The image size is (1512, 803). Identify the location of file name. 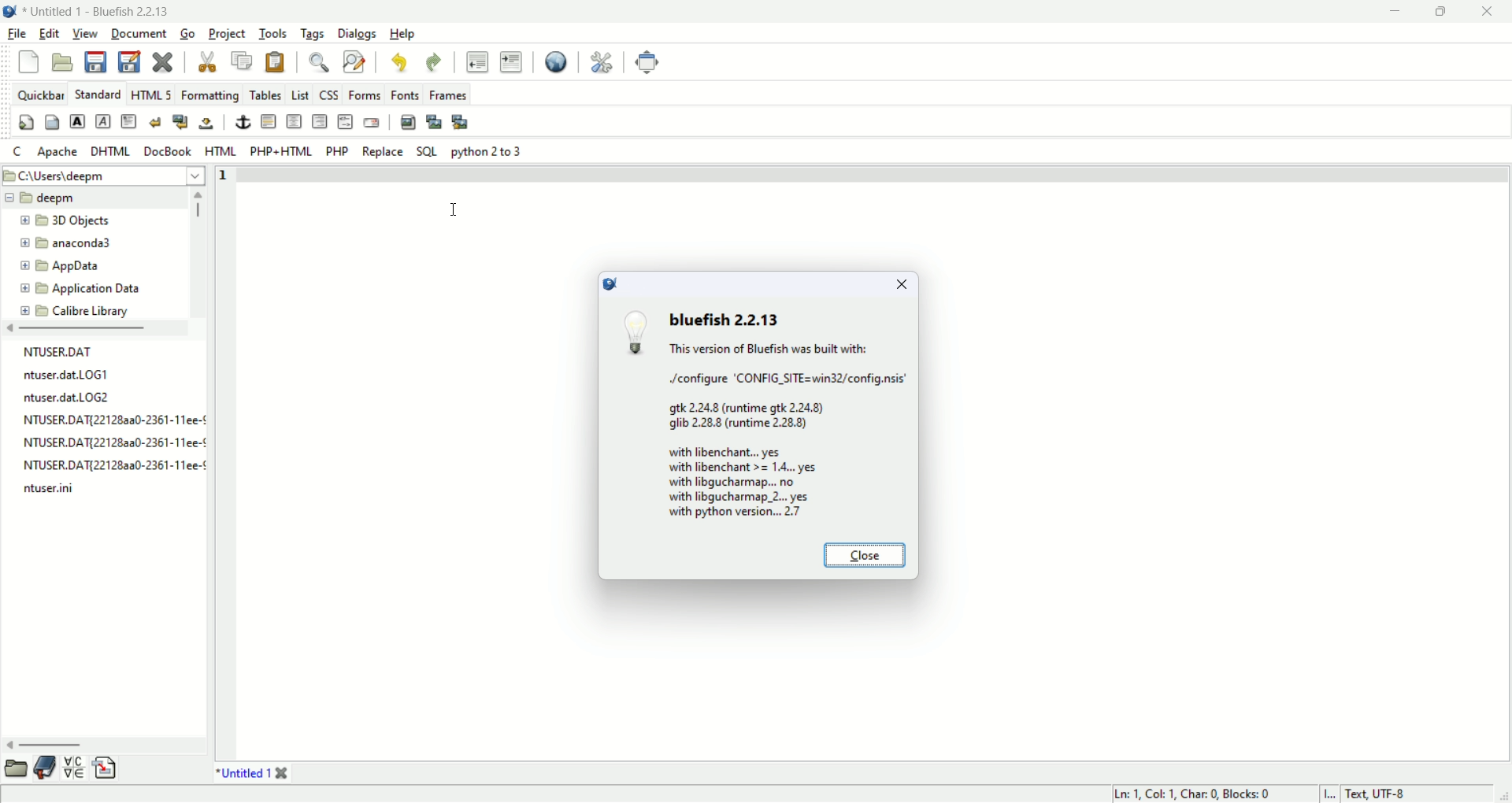
(50, 350).